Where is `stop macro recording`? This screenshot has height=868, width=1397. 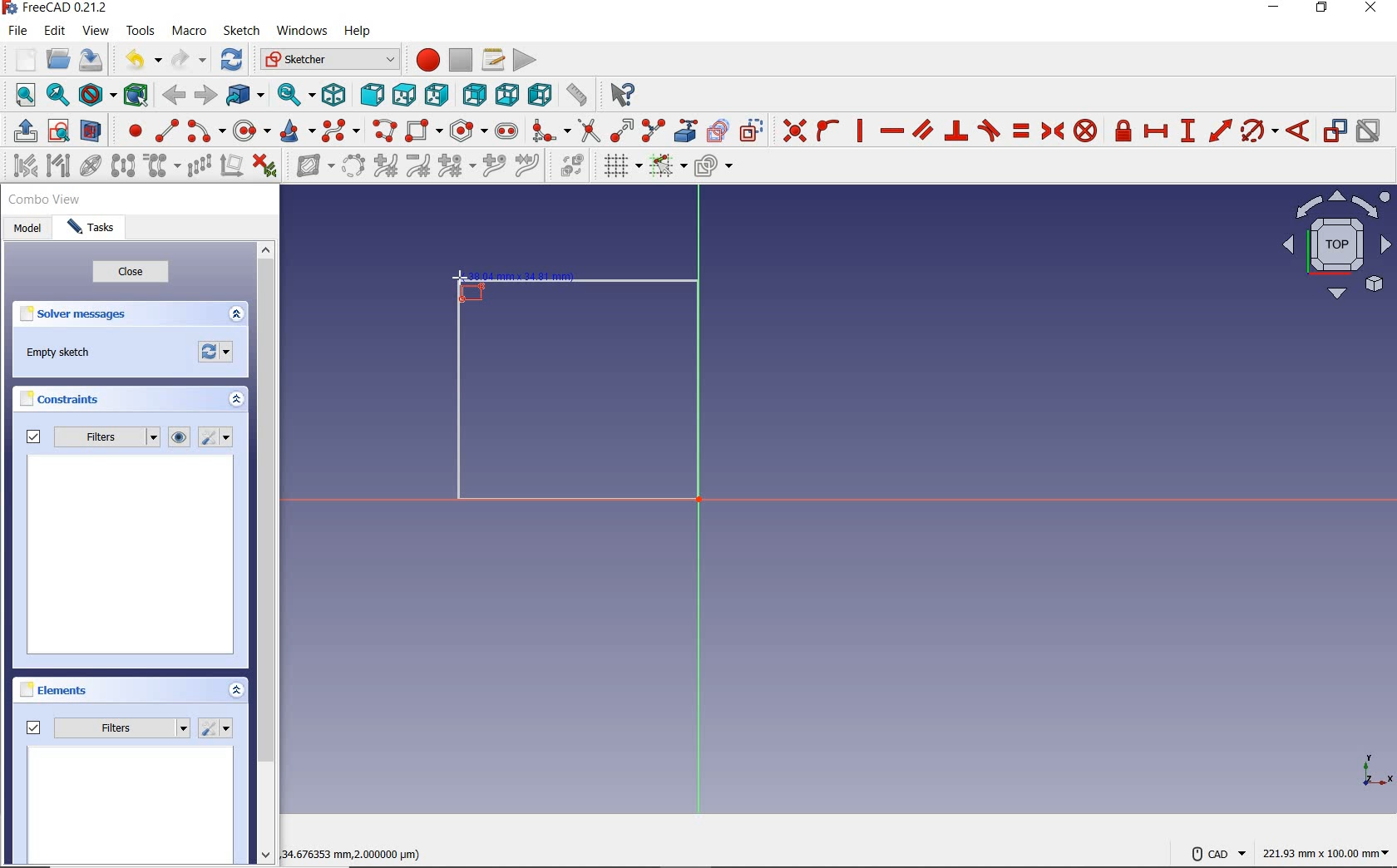
stop macro recording is located at coordinates (461, 60).